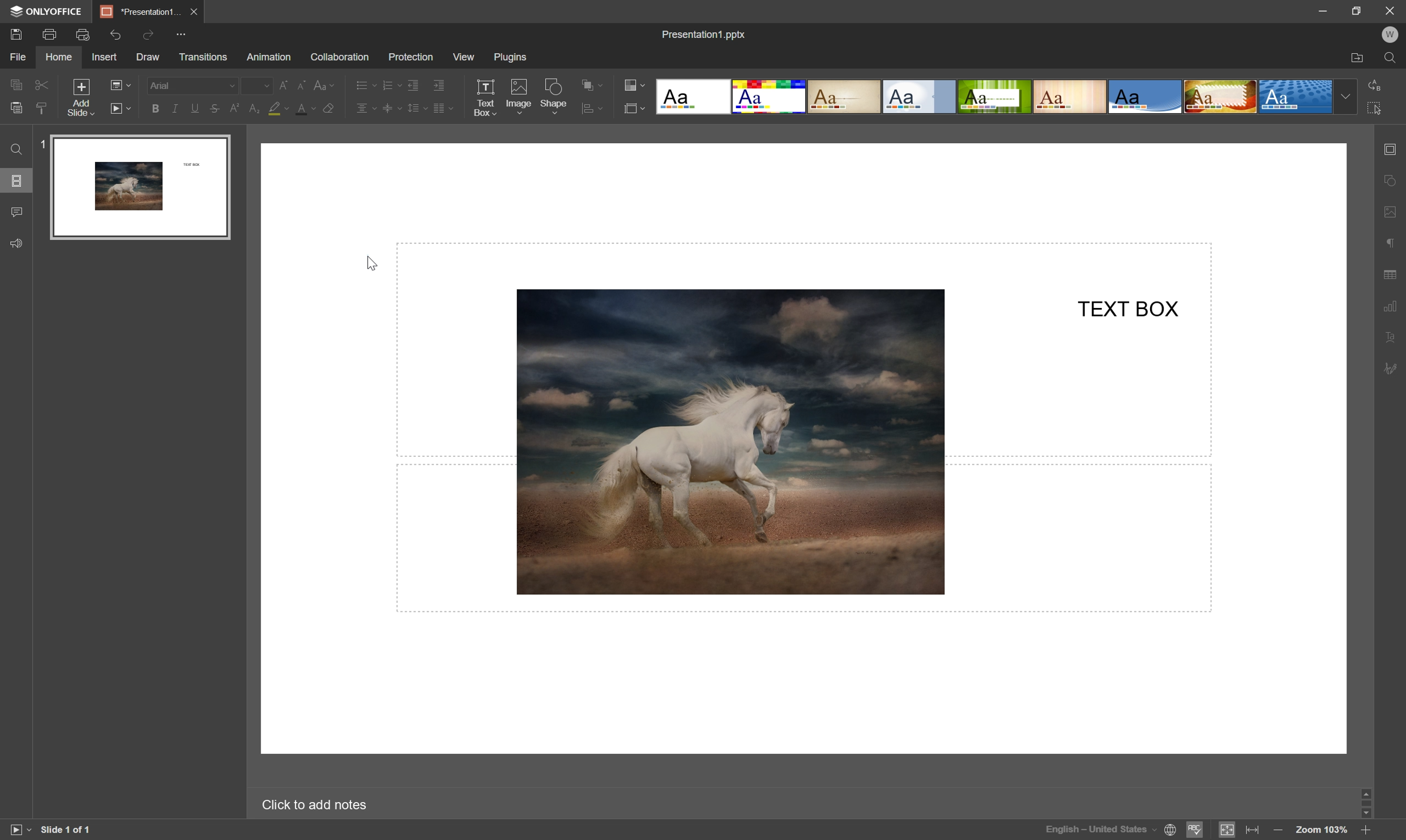  I want to click on clear style, so click(331, 109).